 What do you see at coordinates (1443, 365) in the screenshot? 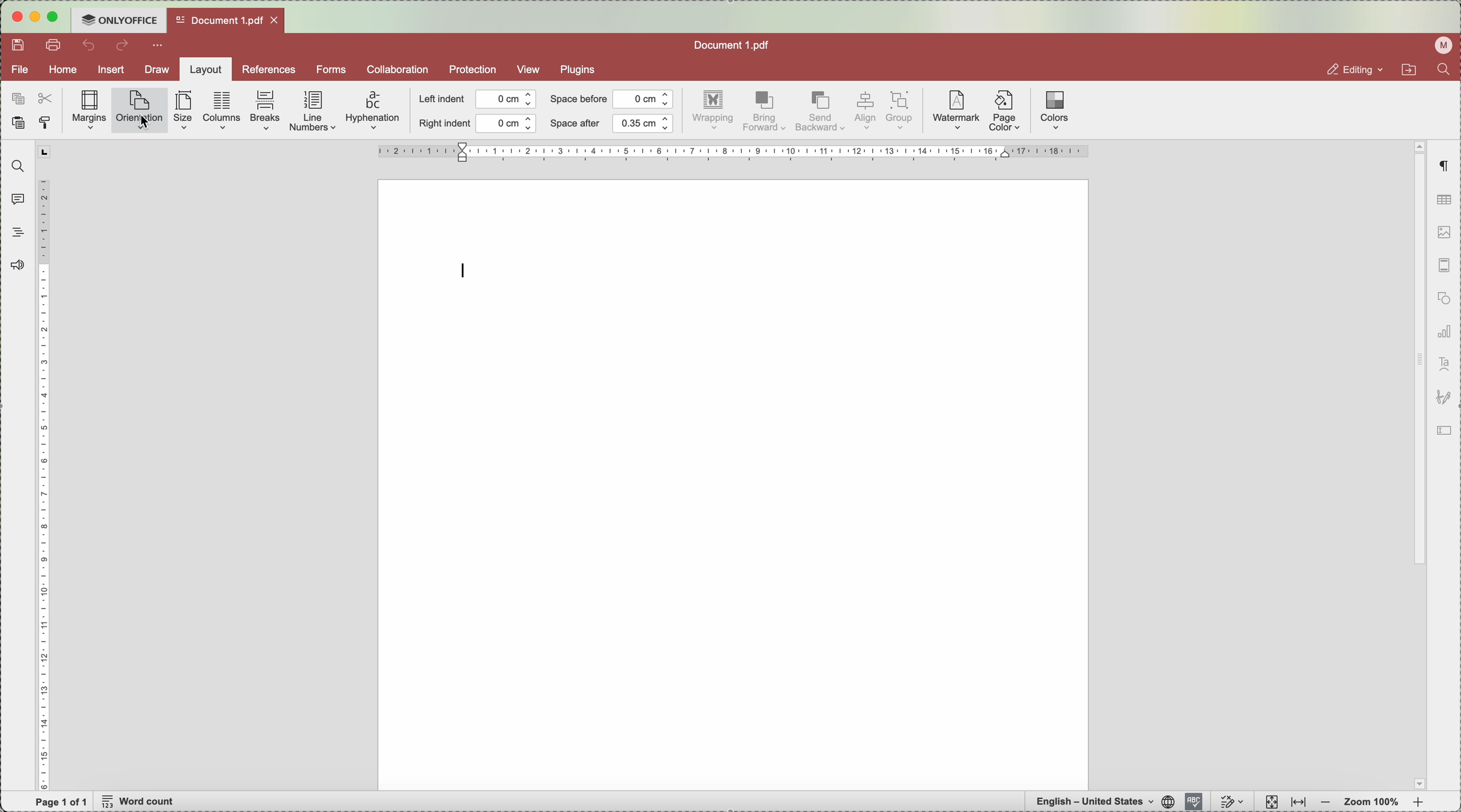
I see `text art settings` at bounding box center [1443, 365].